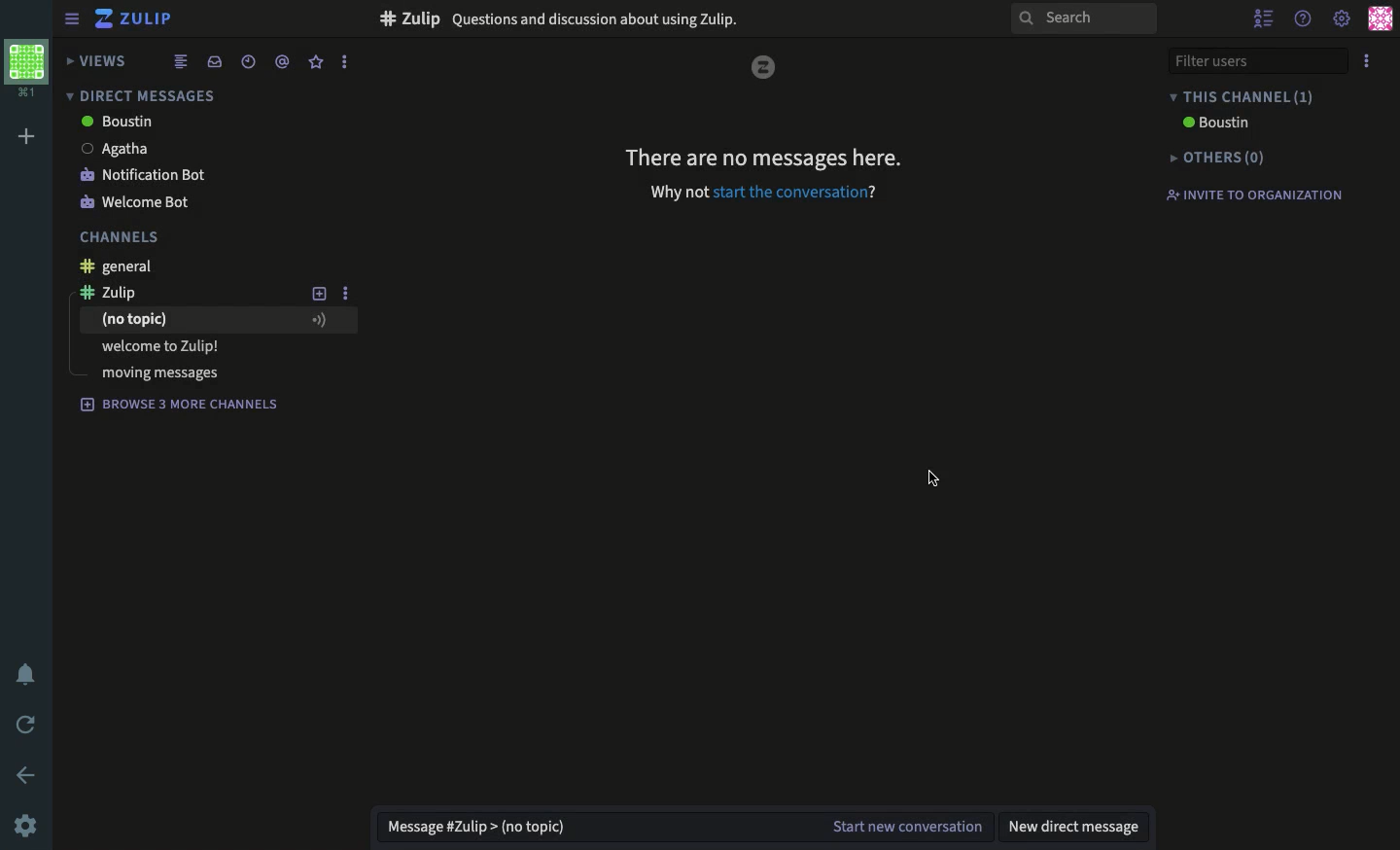 This screenshot has width=1400, height=850. What do you see at coordinates (181, 62) in the screenshot?
I see `combined feed` at bounding box center [181, 62].